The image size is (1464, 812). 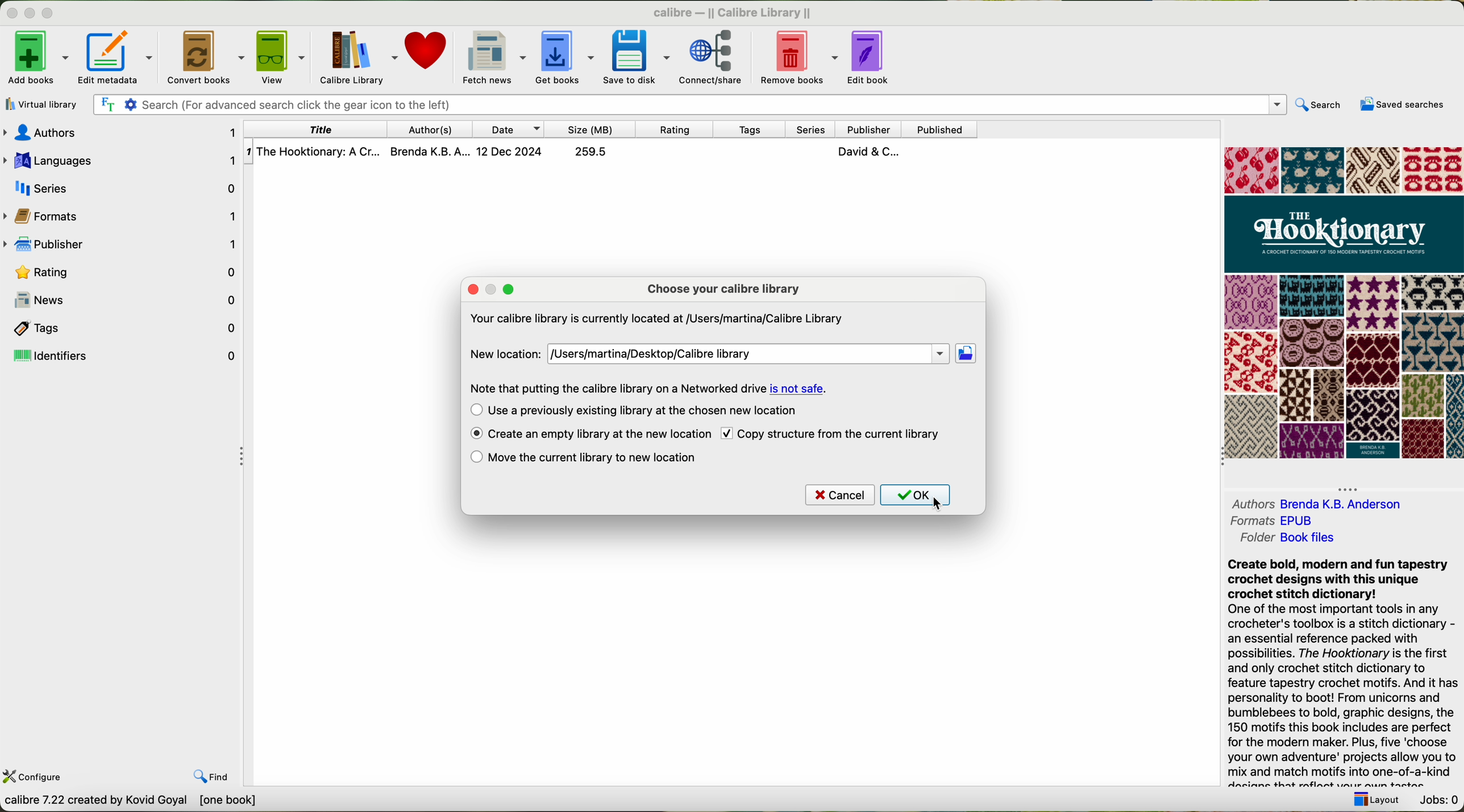 I want to click on convert books, so click(x=204, y=56).